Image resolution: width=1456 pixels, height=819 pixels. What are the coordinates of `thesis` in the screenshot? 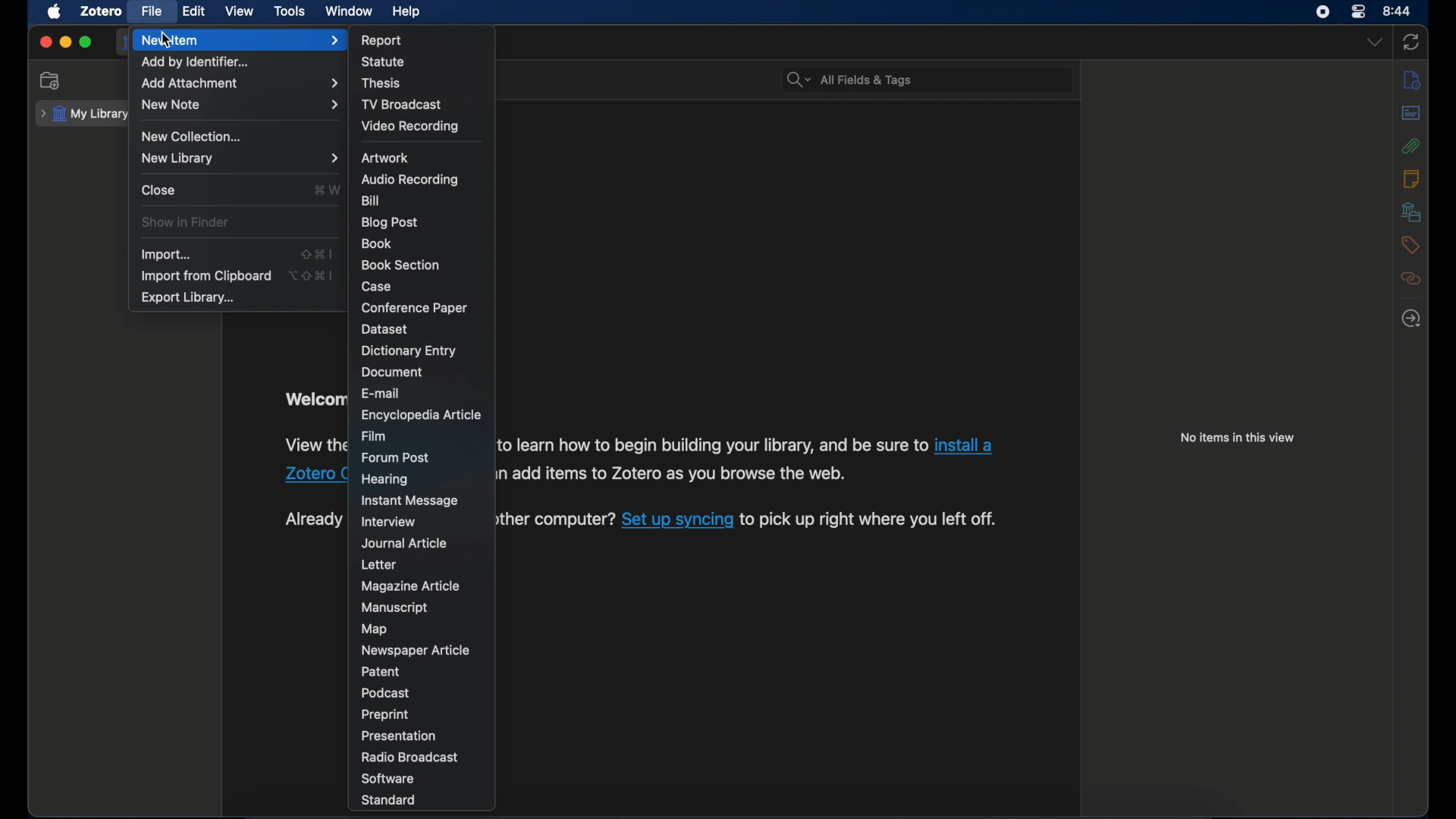 It's located at (382, 83).